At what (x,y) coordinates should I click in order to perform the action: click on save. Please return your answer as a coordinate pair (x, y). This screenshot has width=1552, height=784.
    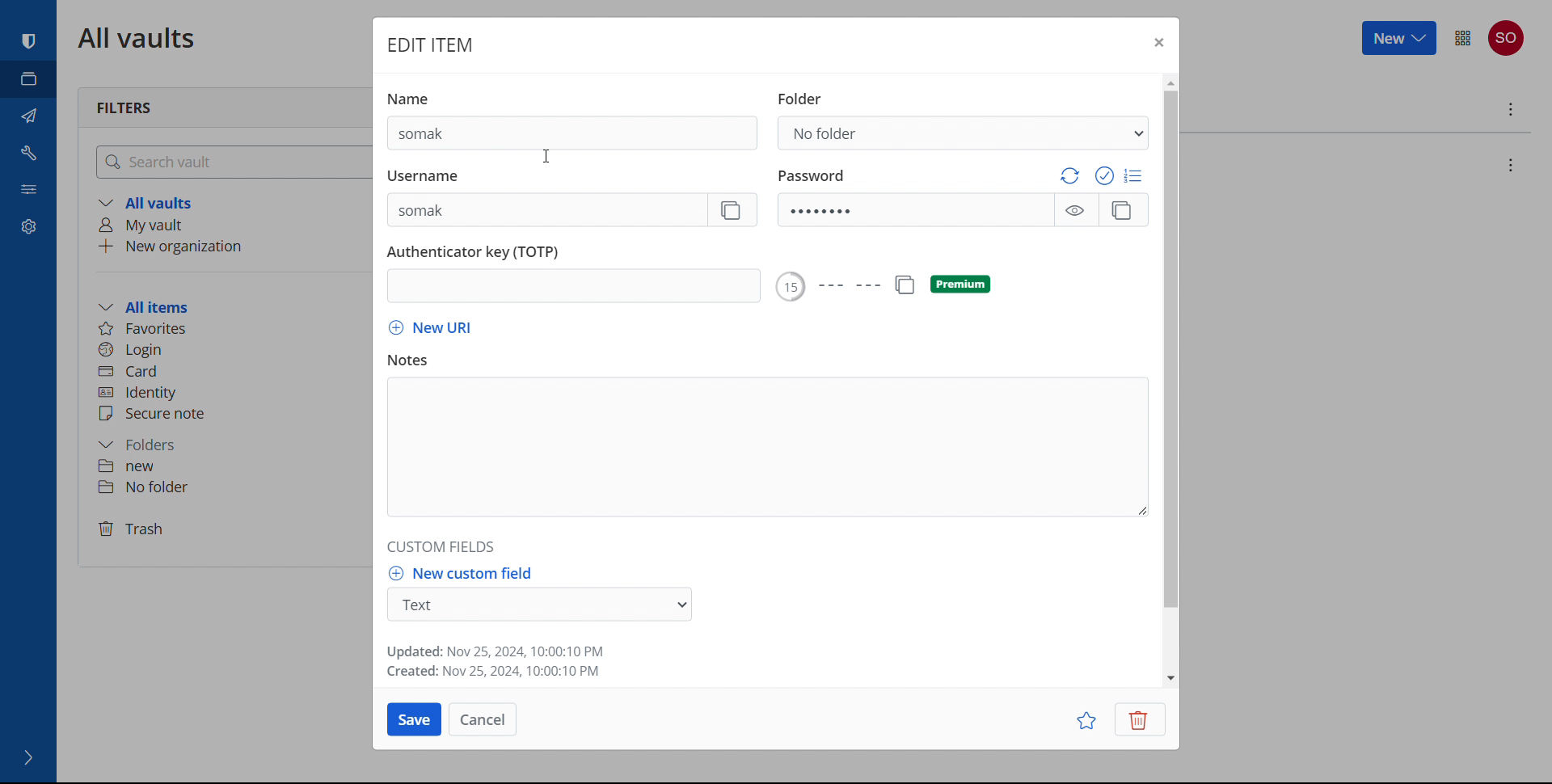
    Looking at the image, I should click on (414, 719).